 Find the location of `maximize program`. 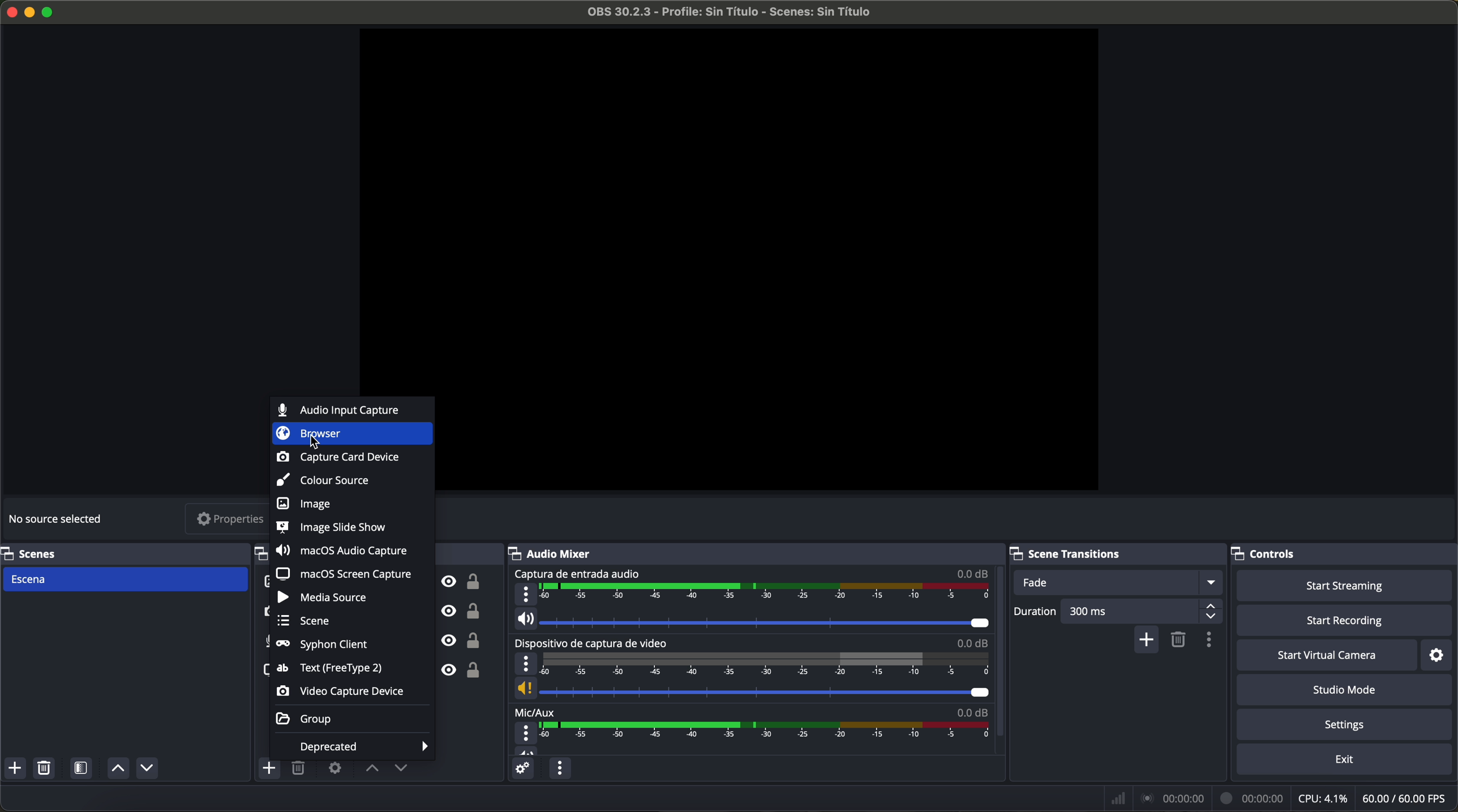

maximize program is located at coordinates (50, 14).